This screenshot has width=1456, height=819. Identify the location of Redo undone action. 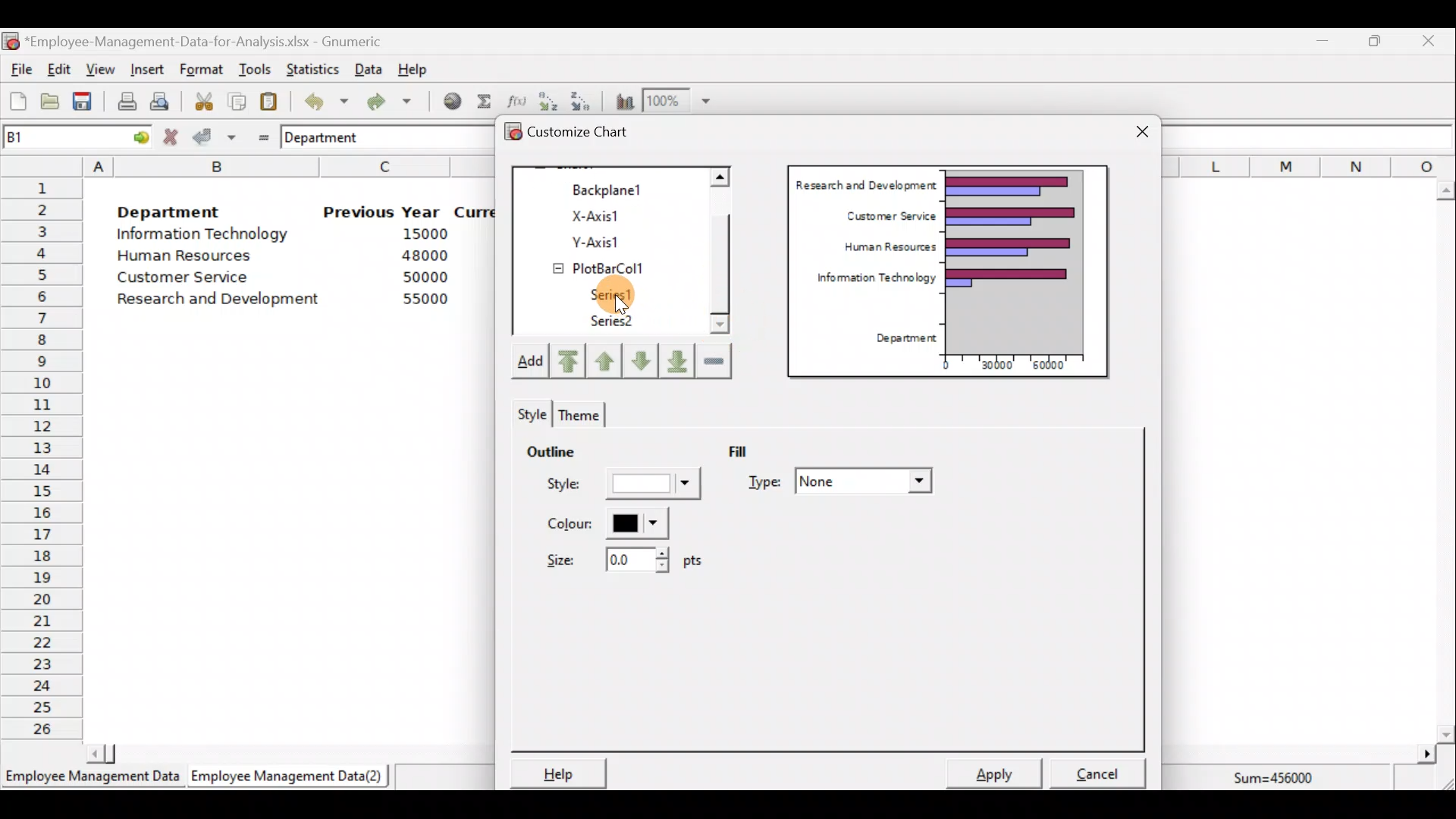
(386, 102).